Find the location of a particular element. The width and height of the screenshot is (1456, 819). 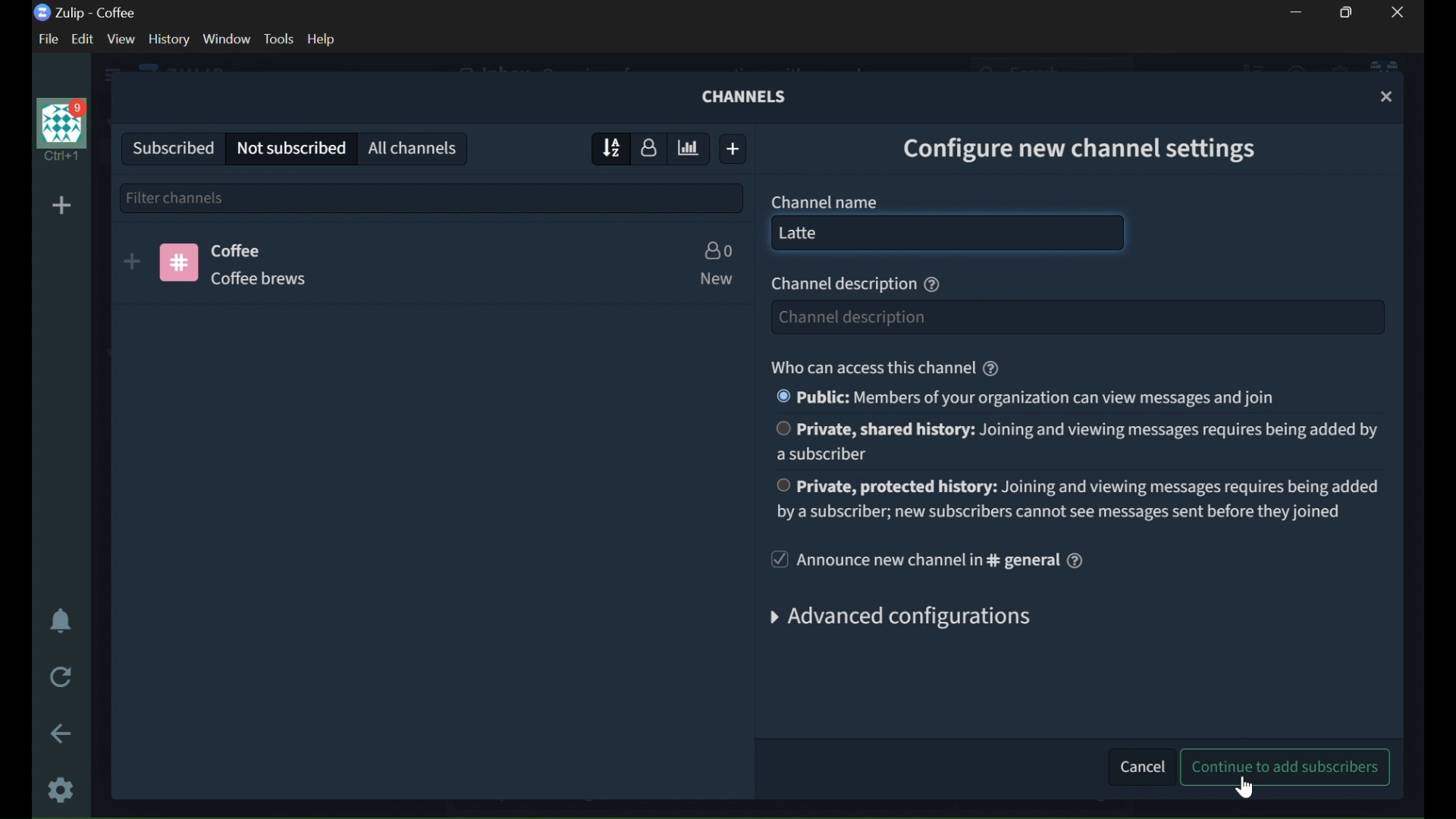

SUBSCRIBED is located at coordinates (168, 146).